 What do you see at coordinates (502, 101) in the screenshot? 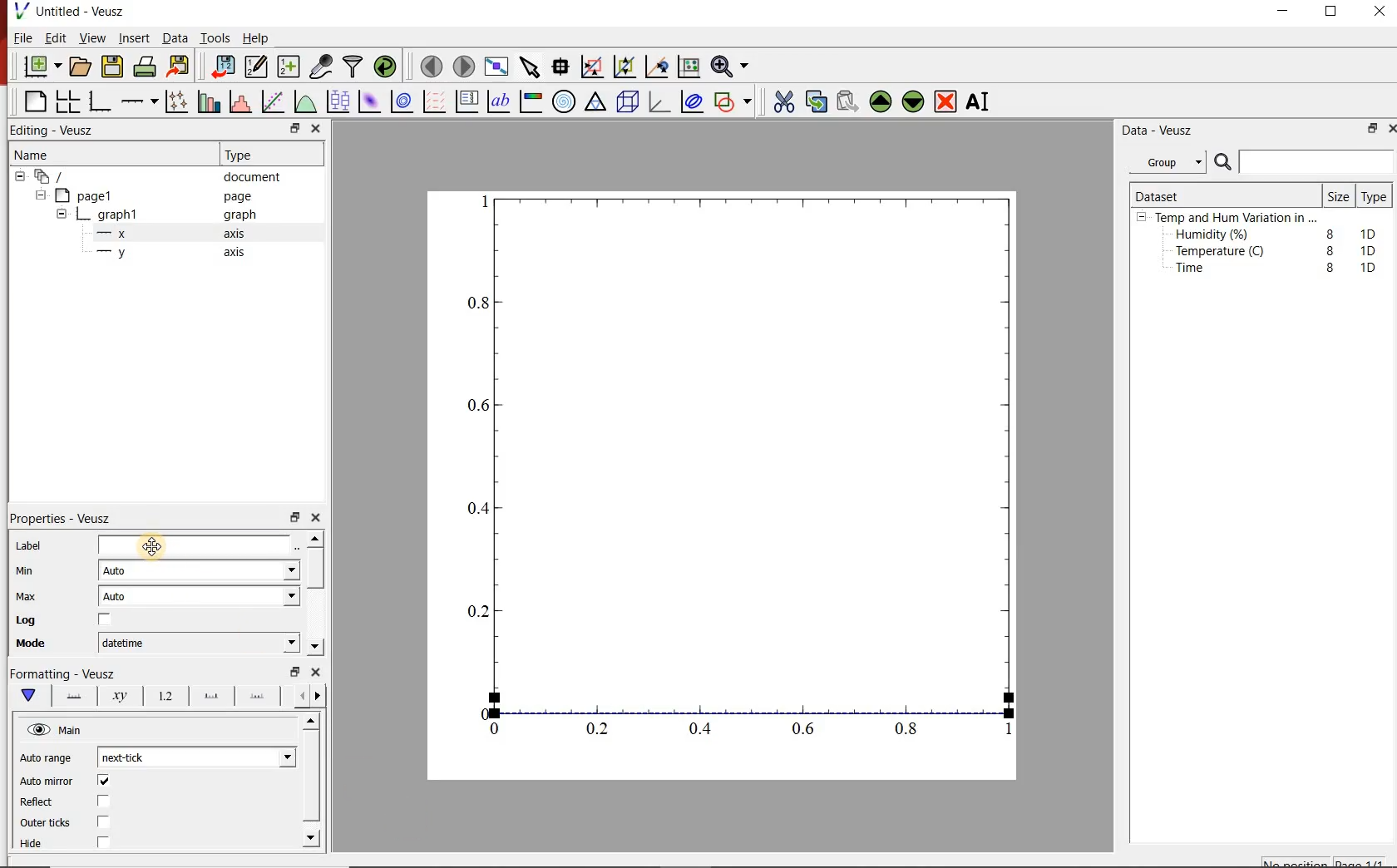
I see `text label` at bounding box center [502, 101].